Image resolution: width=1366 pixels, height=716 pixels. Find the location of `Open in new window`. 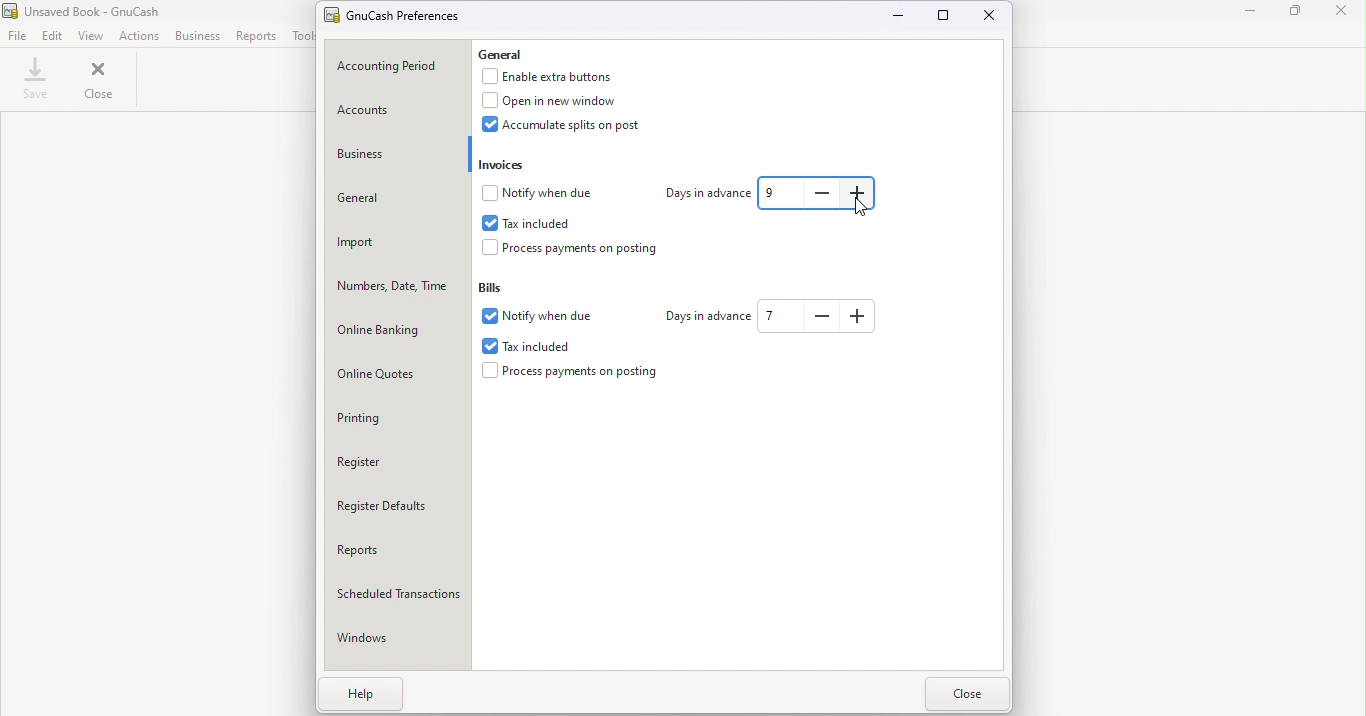

Open in new window is located at coordinates (558, 102).